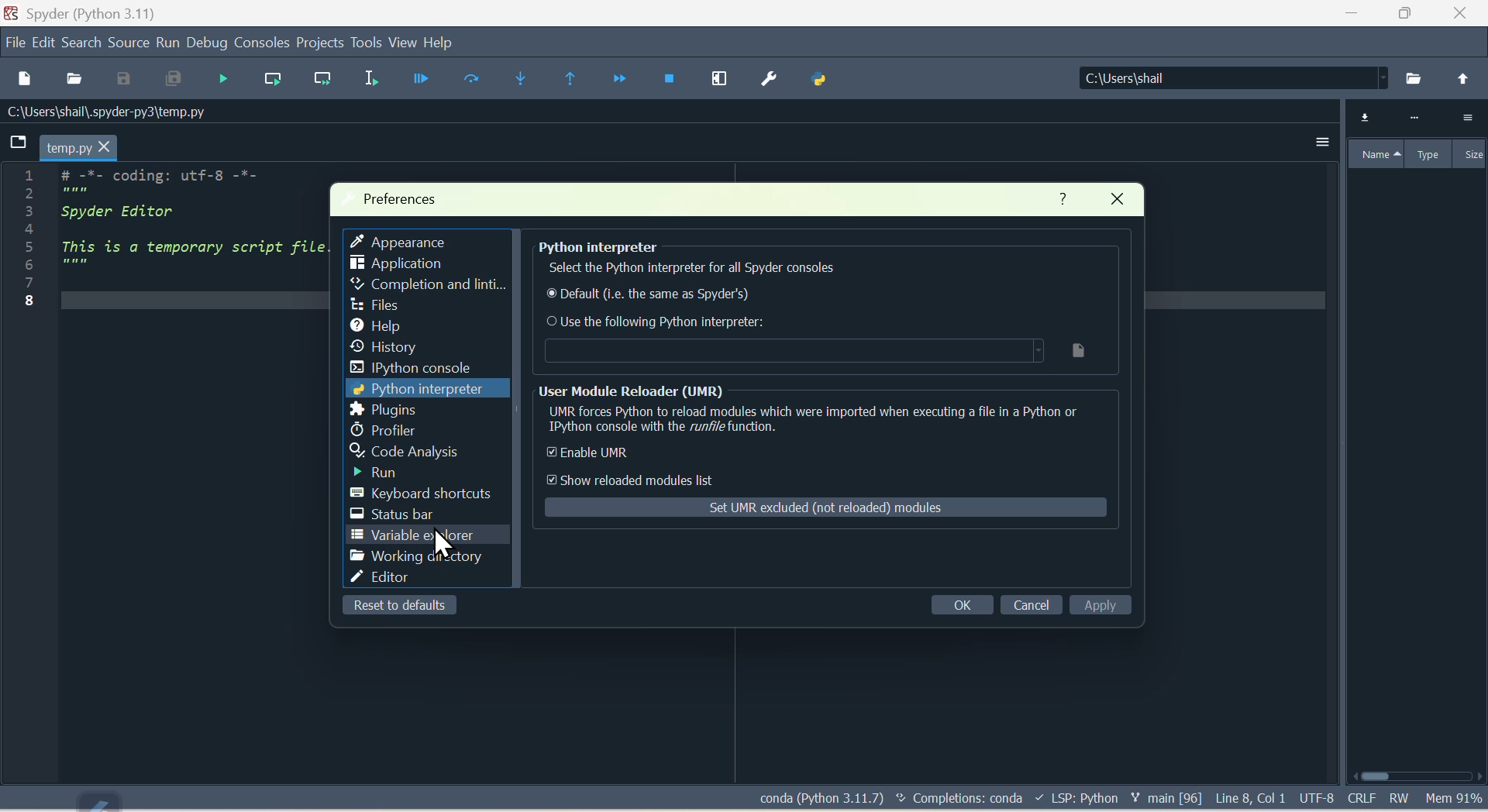  Describe the element at coordinates (1109, 607) in the screenshot. I see `Apply` at that location.